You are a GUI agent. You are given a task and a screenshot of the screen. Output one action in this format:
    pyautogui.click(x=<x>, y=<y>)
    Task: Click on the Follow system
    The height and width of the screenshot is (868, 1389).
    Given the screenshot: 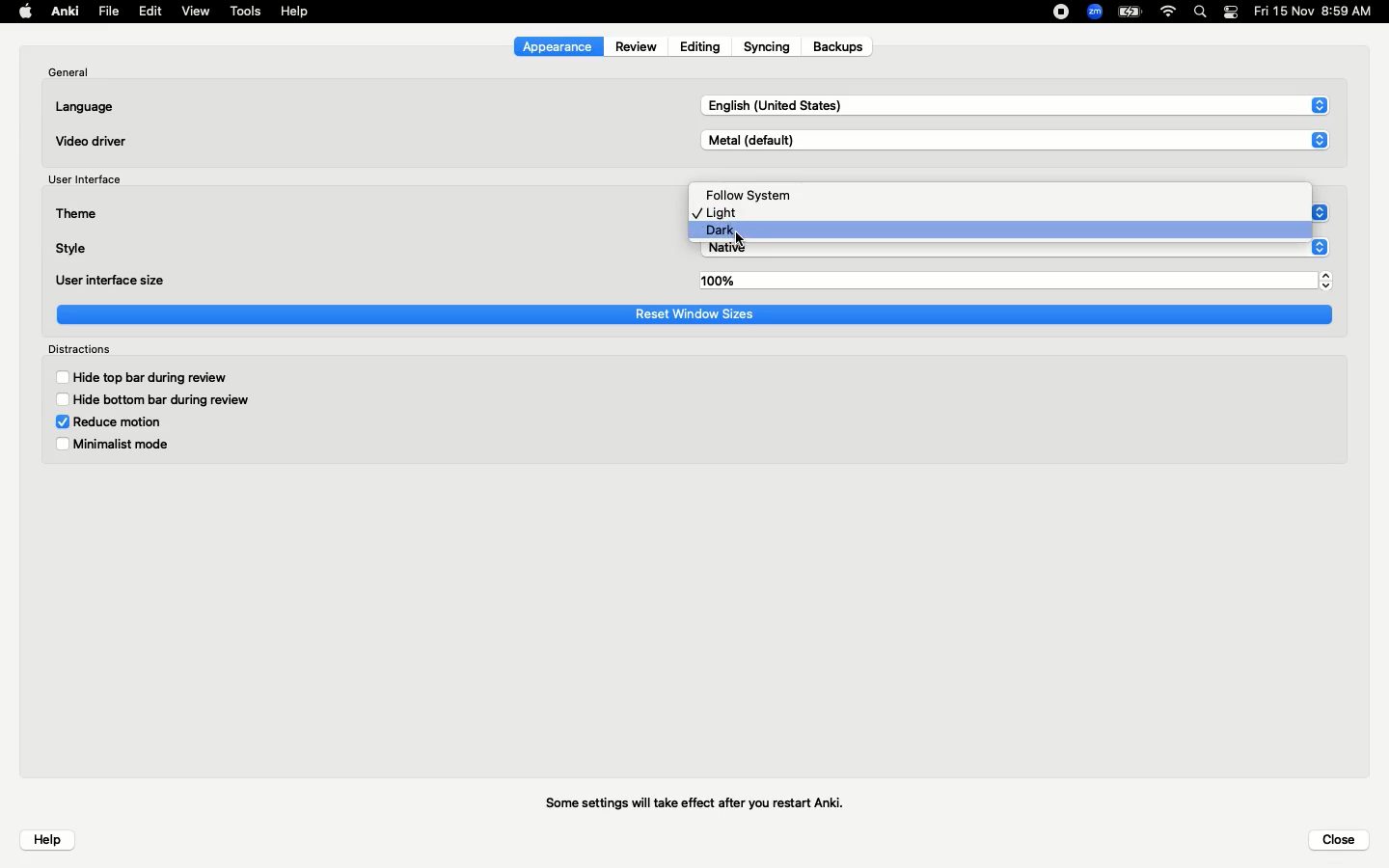 What is the action you would take?
    pyautogui.click(x=749, y=196)
    